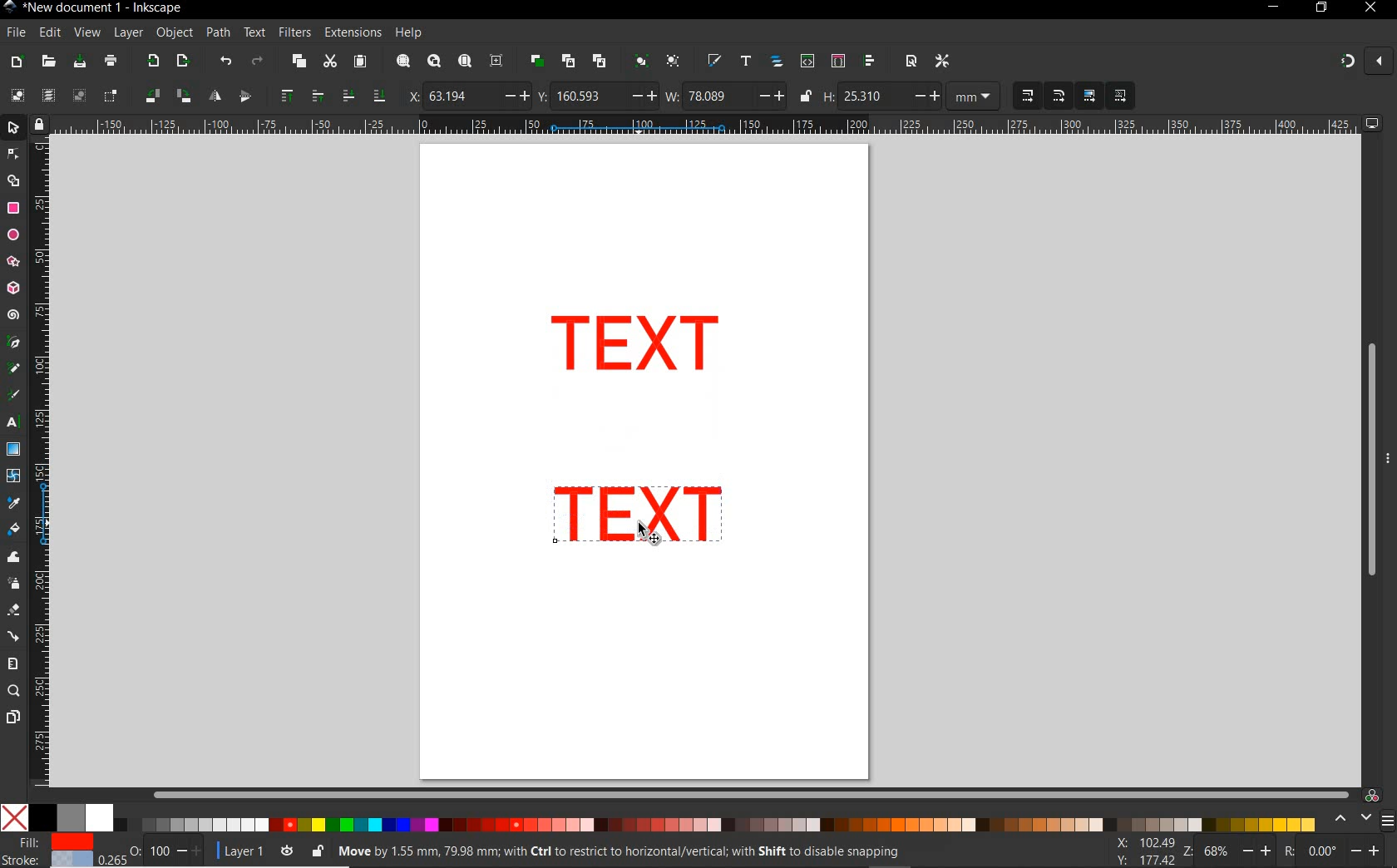 Image resolution: width=1397 pixels, height=868 pixels. What do you see at coordinates (1043, 96) in the screenshot?
I see `SCALING` at bounding box center [1043, 96].